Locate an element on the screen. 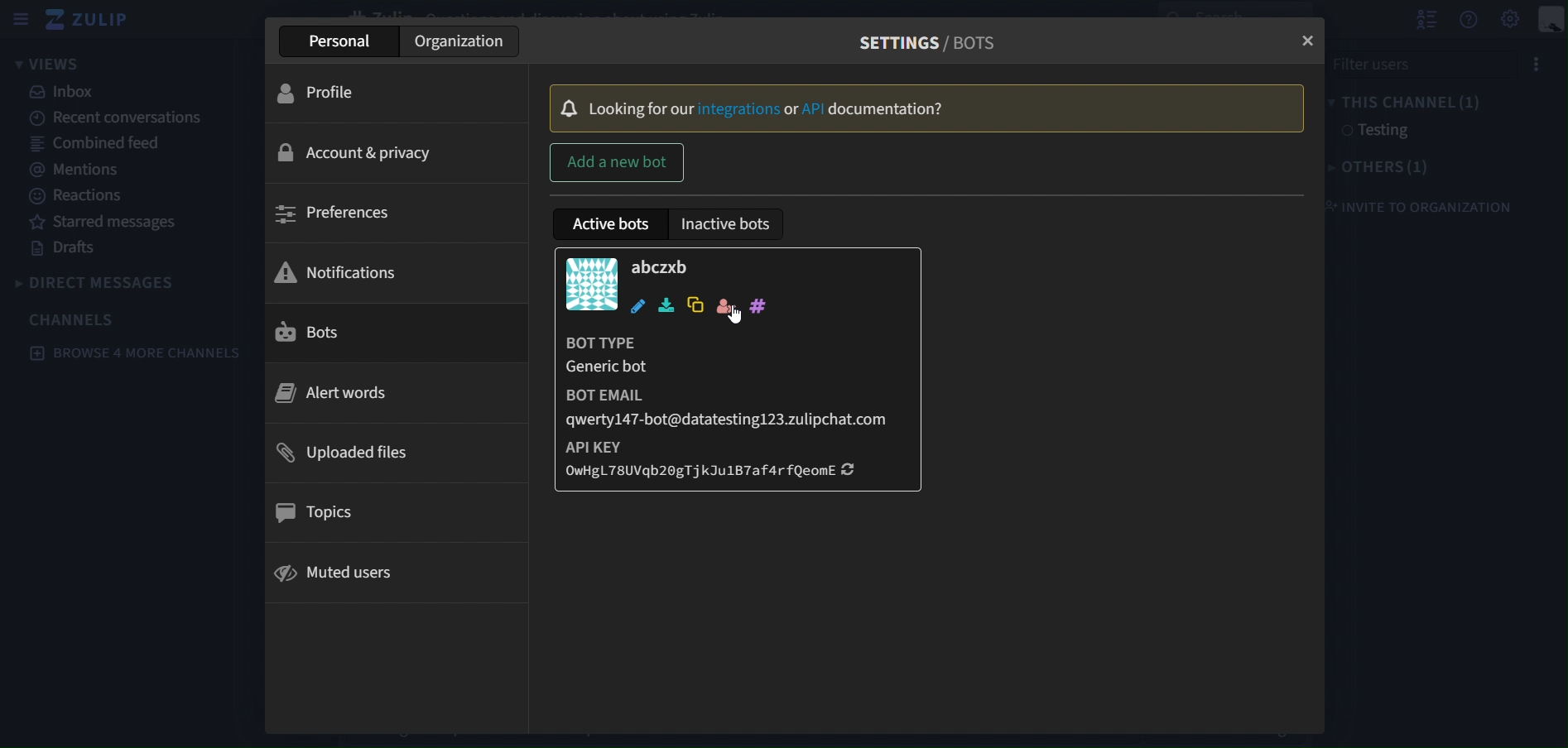  main menu is located at coordinates (1509, 19).